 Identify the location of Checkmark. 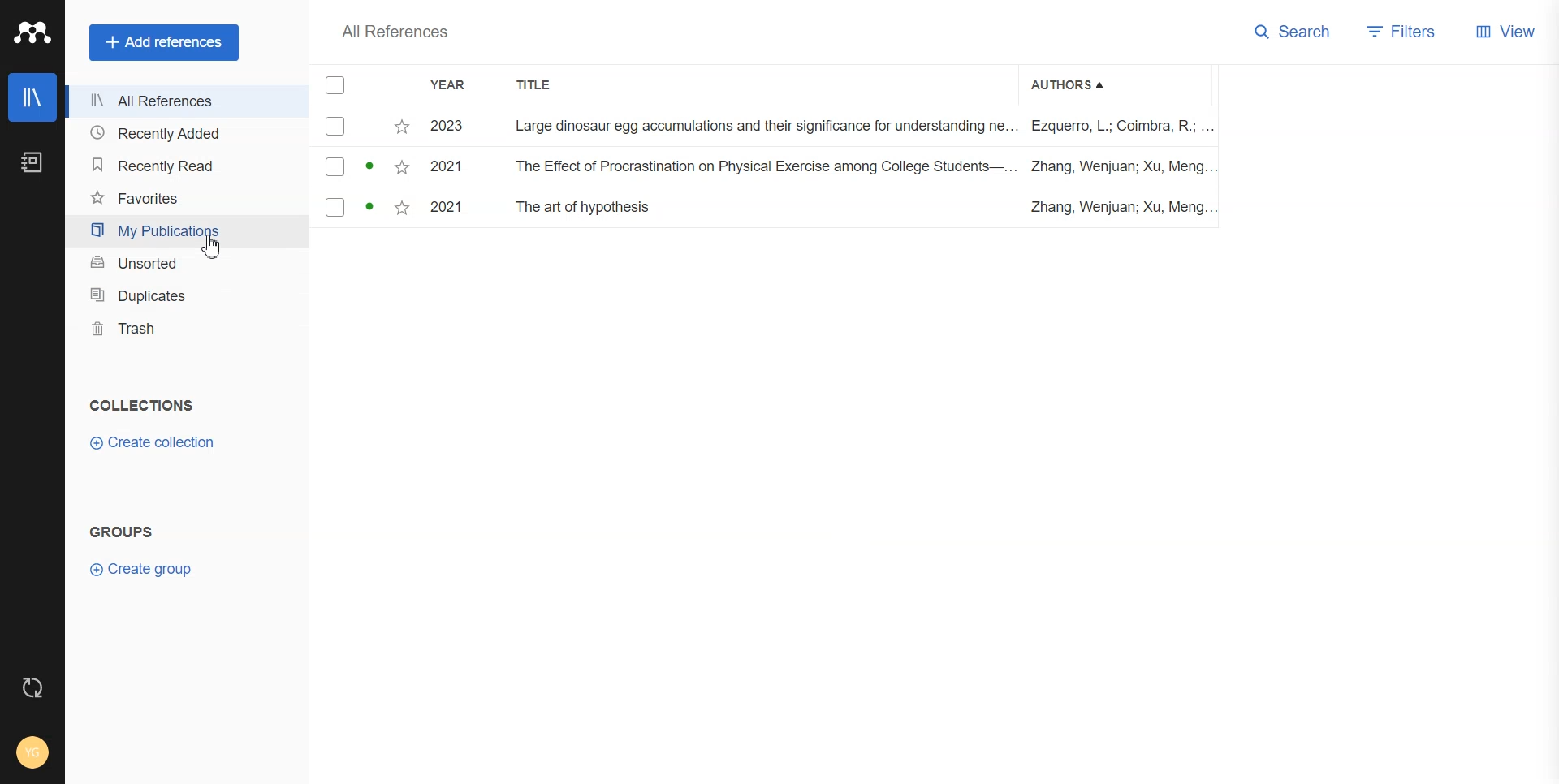
(335, 127).